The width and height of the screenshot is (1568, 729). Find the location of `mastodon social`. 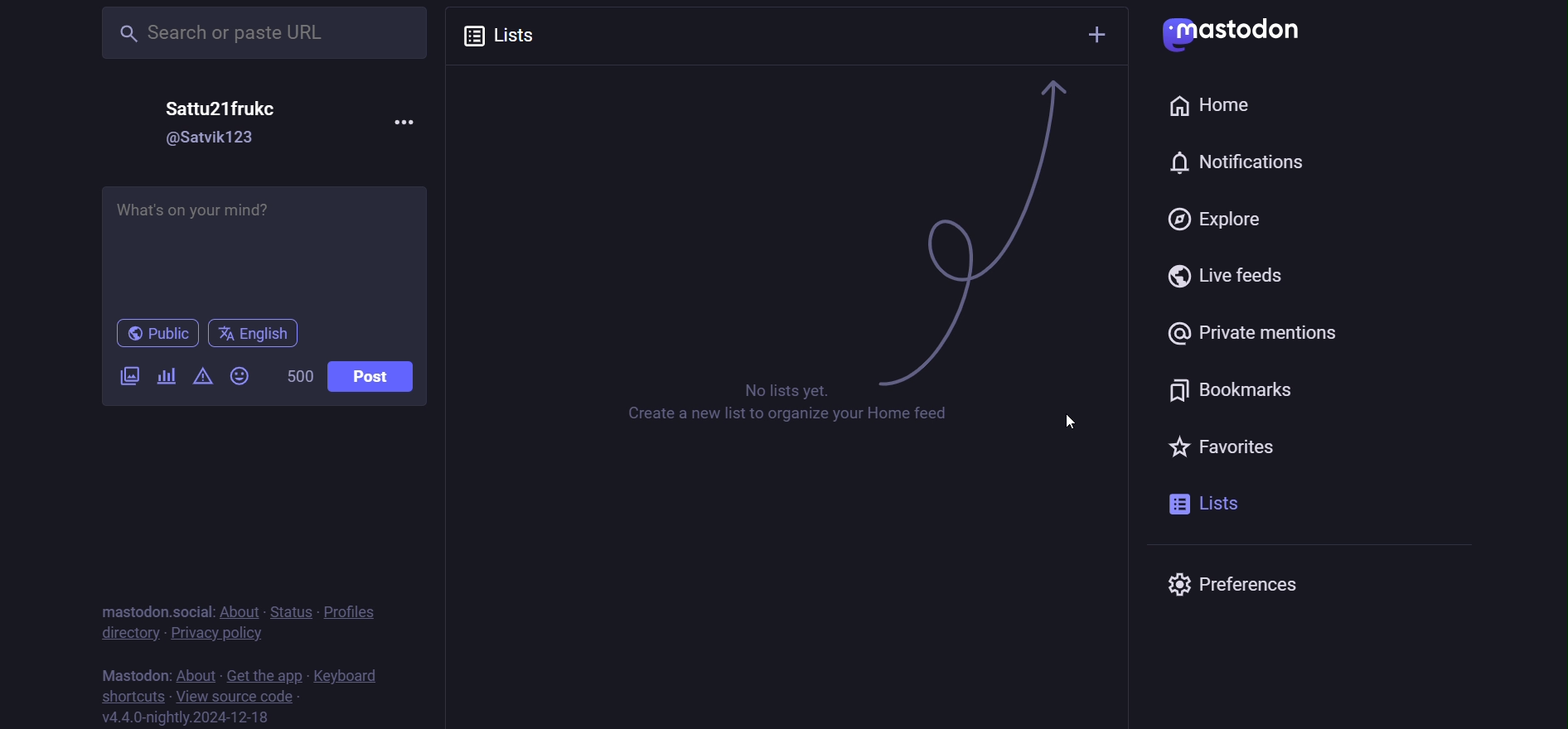

mastodon social is located at coordinates (152, 608).